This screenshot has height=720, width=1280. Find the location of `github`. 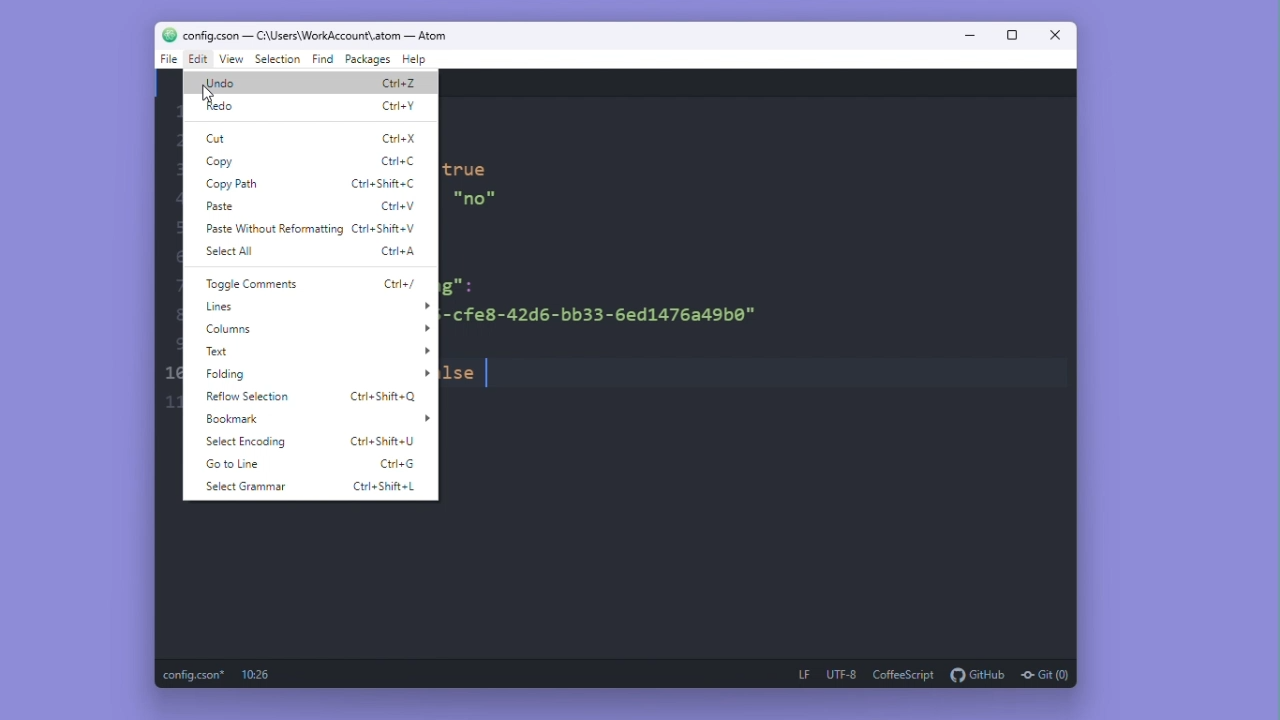

github is located at coordinates (977, 674).